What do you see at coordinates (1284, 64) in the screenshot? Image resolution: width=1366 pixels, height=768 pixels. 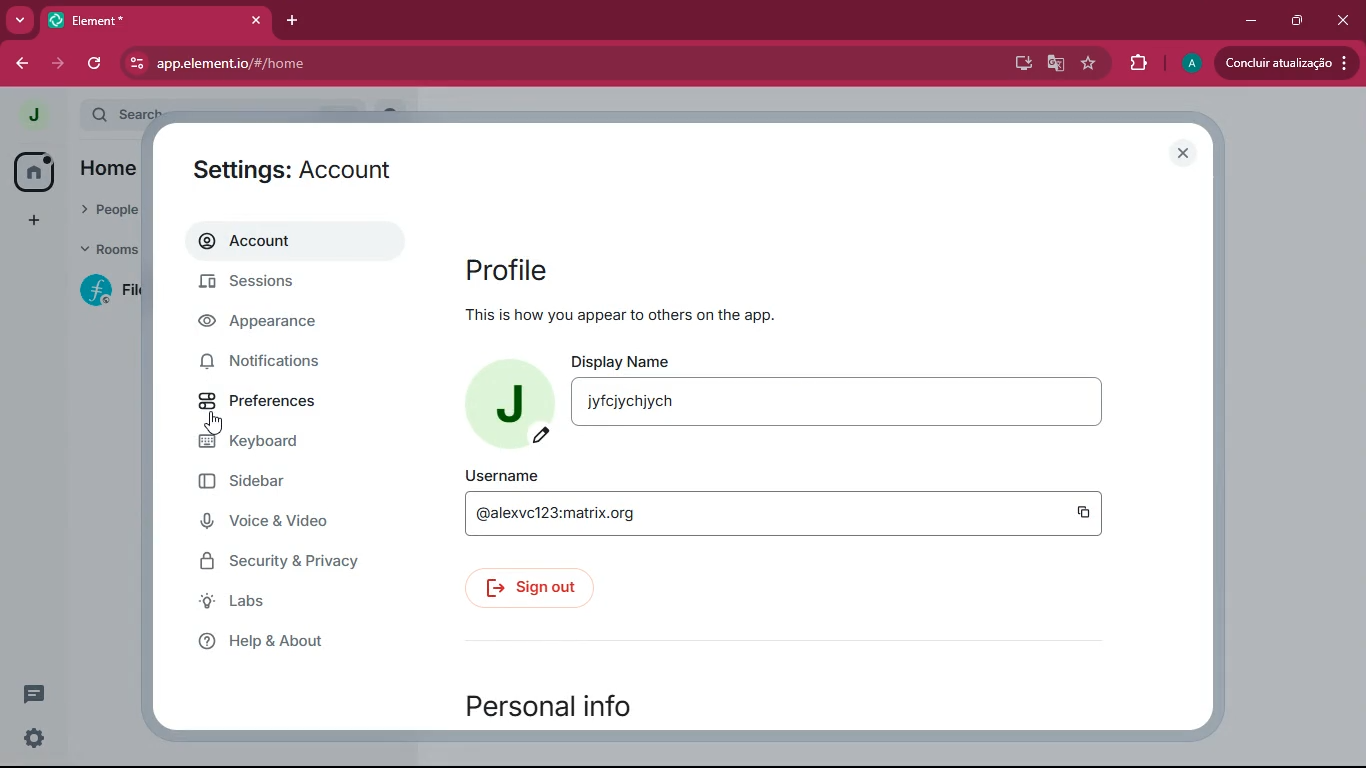 I see `conduir atualizacao` at bounding box center [1284, 64].